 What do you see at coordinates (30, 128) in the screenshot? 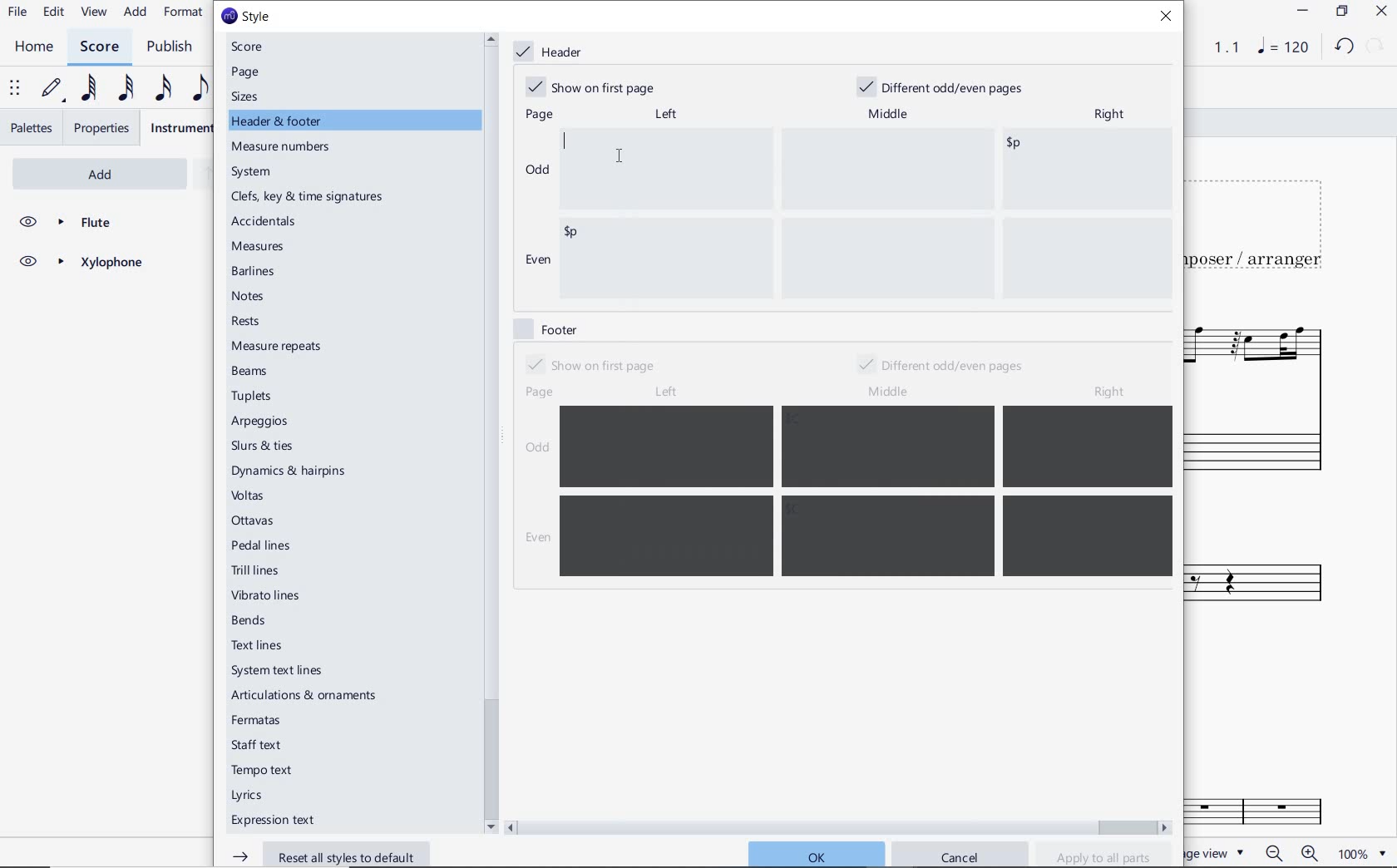
I see `PALETTES` at bounding box center [30, 128].